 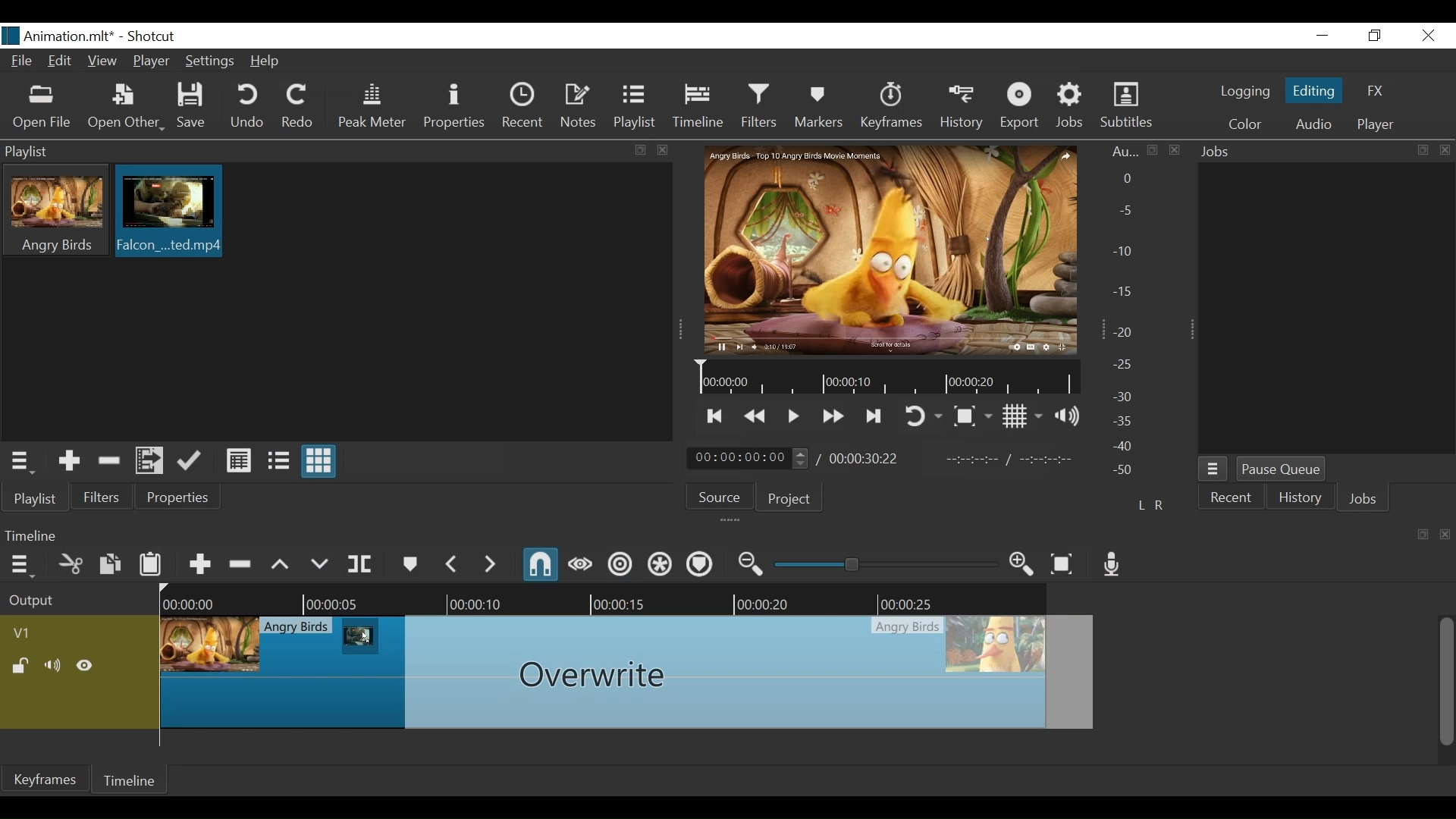 What do you see at coordinates (489, 563) in the screenshot?
I see `Next Marker` at bounding box center [489, 563].